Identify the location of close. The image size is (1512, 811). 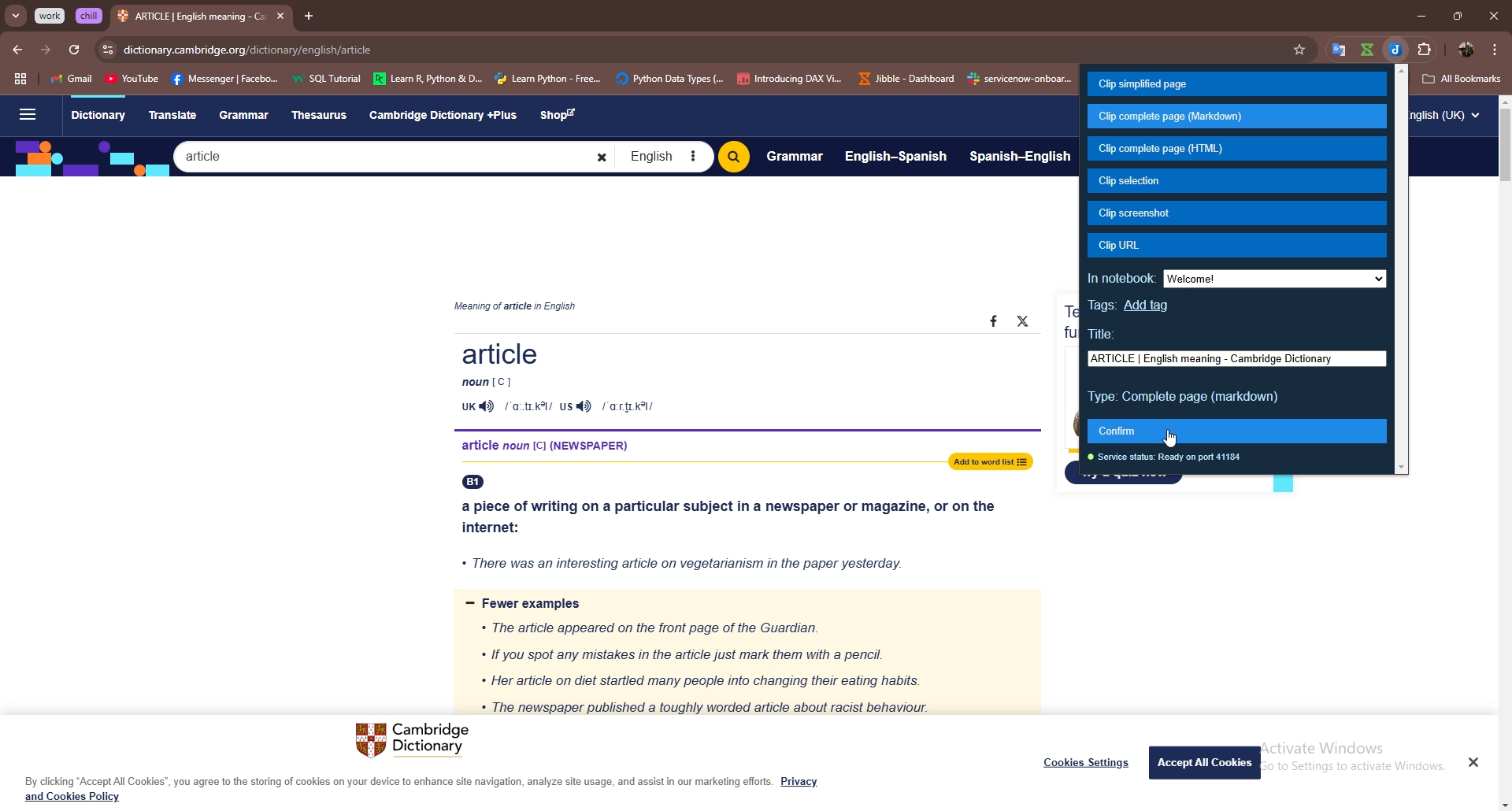
(1493, 15).